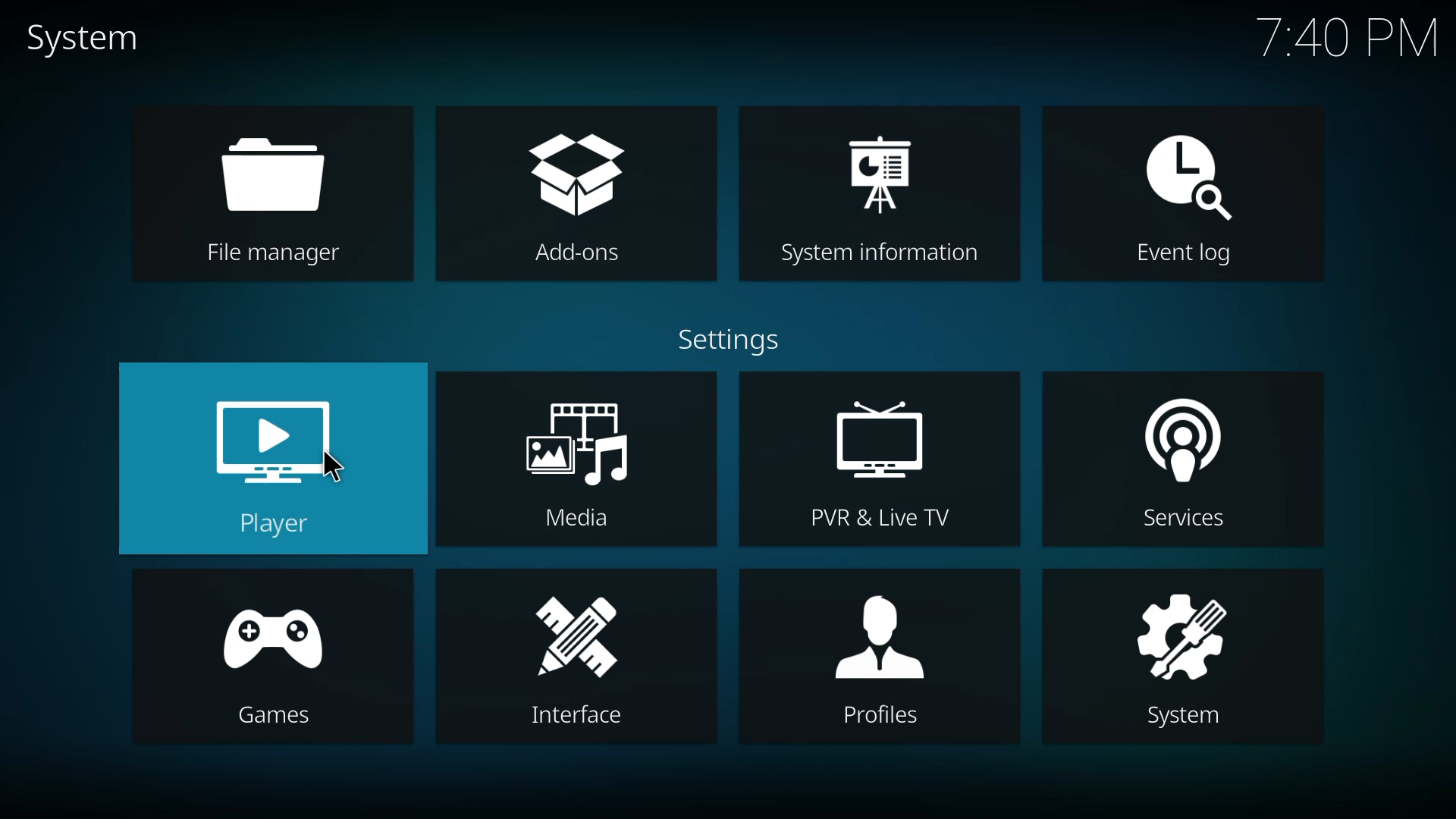 The width and height of the screenshot is (1456, 819). I want to click on time, so click(1350, 38).